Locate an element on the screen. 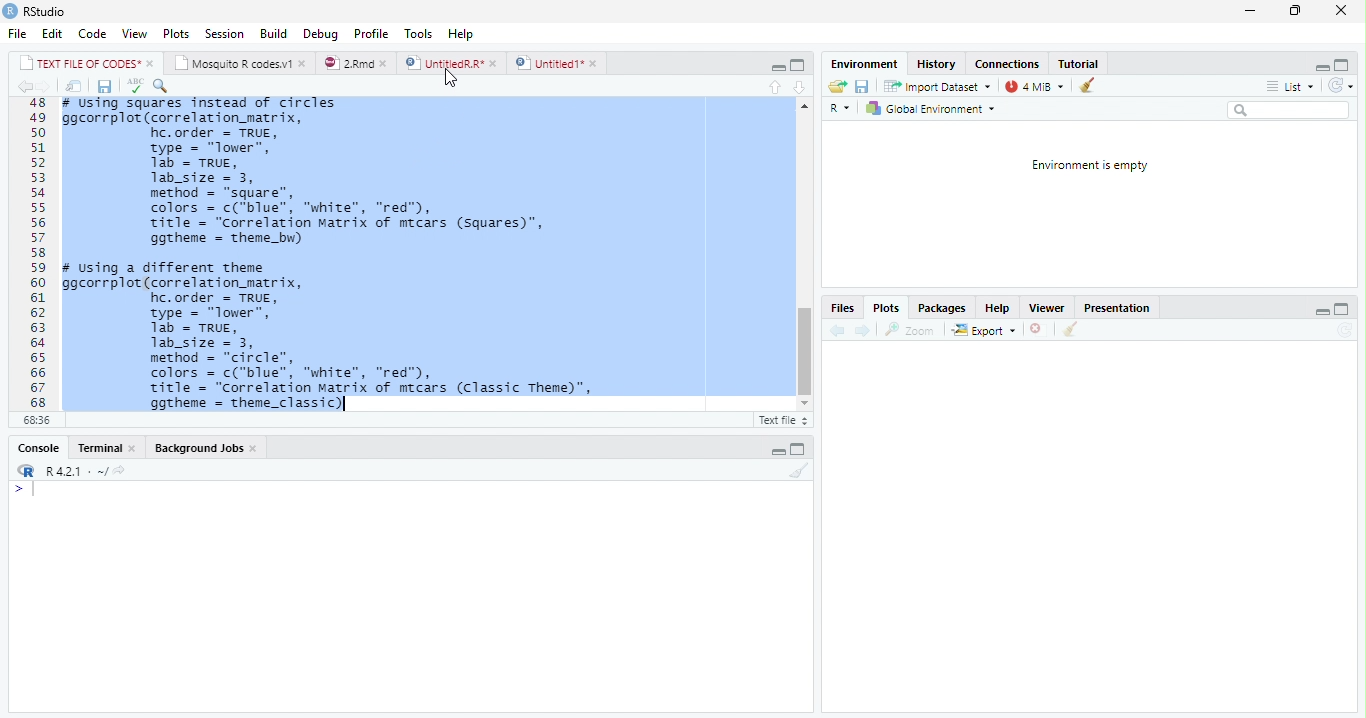  refresh is located at coordinates (1347, 87).